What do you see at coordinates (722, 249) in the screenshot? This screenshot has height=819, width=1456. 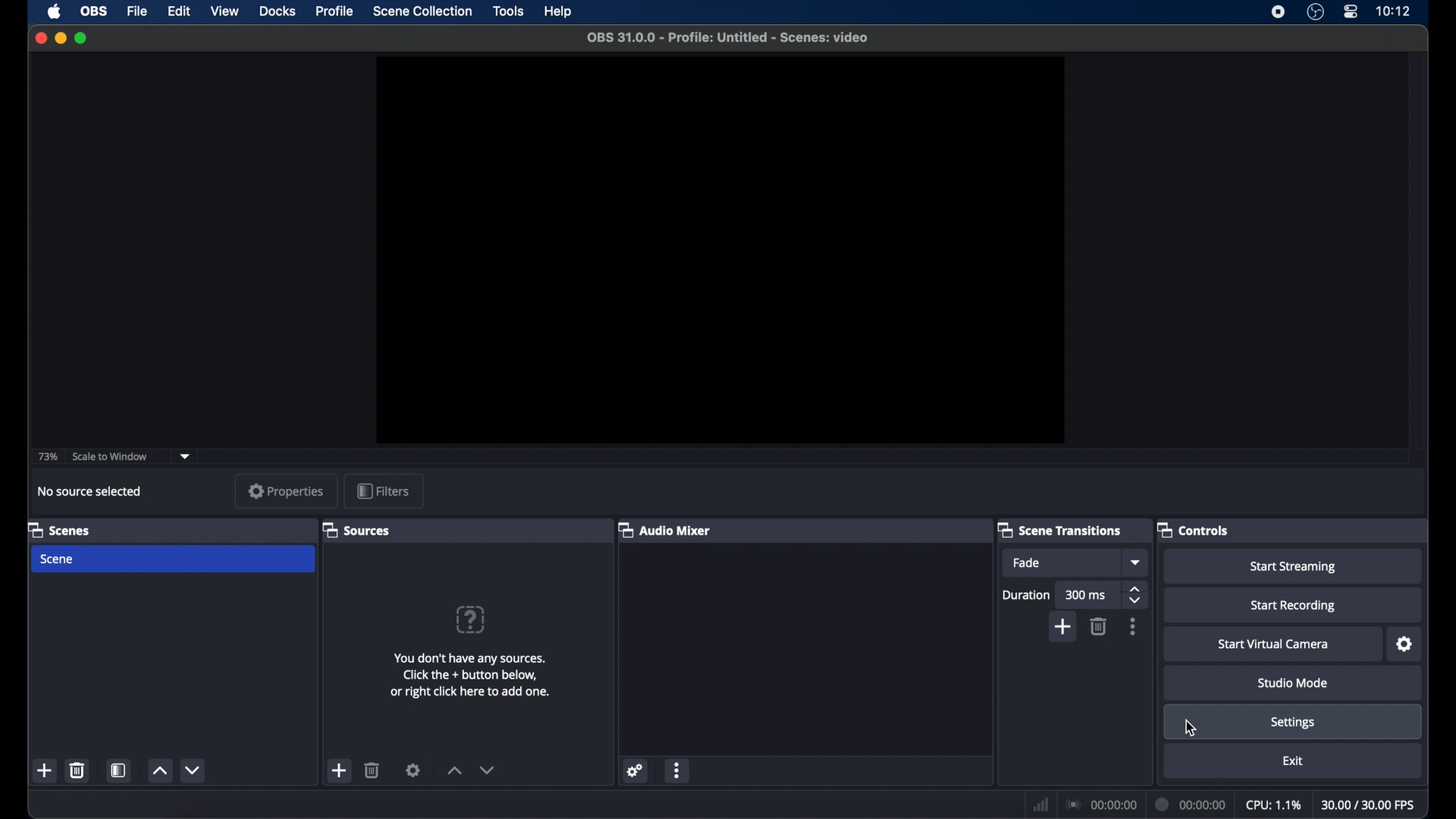 I see `preview` at bounding box center [722, 249].